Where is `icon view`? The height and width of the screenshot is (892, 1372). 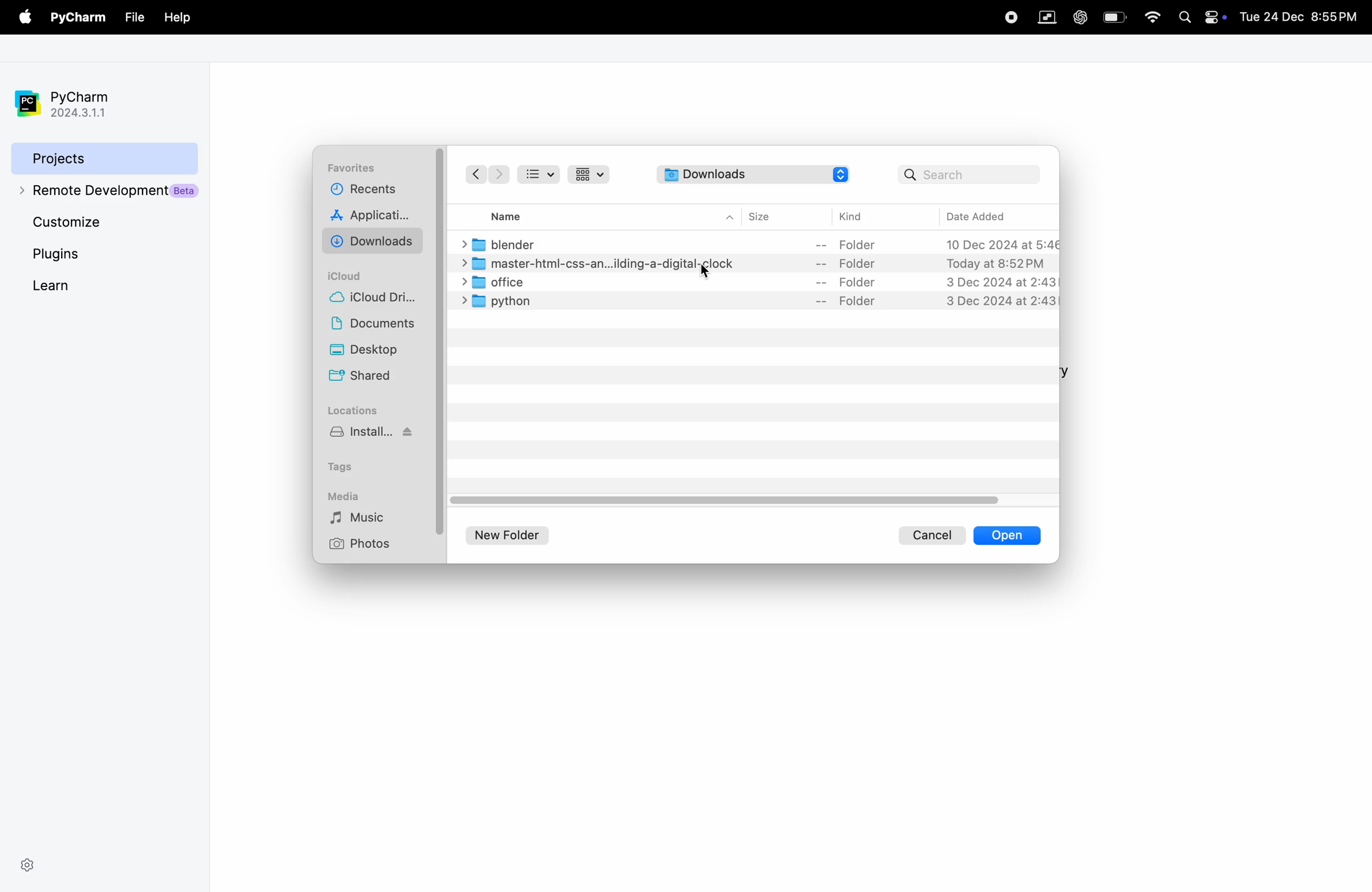 icon view is located at coordinates (592, 174).